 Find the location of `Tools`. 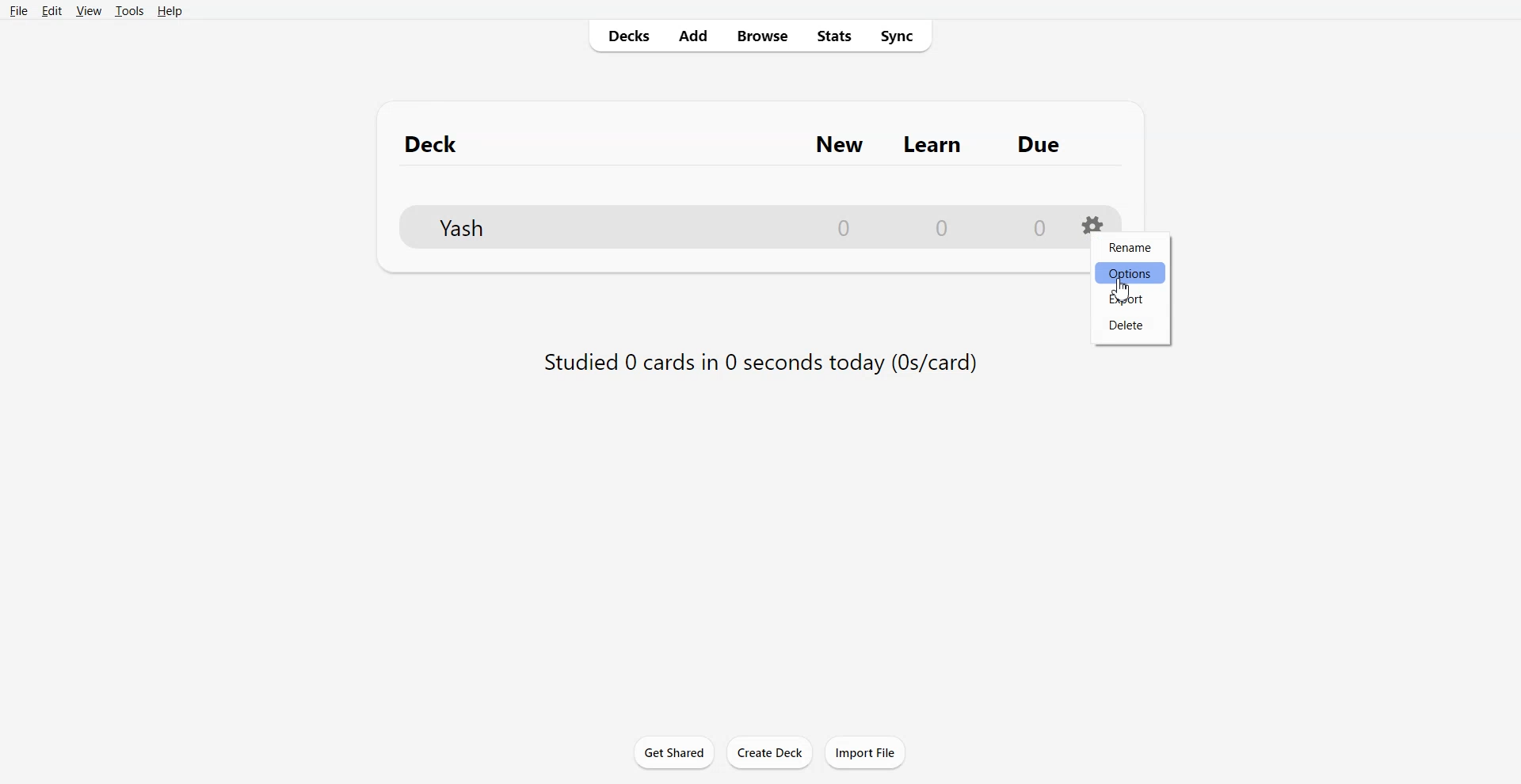

Tools is located at coordinates (129, 11).